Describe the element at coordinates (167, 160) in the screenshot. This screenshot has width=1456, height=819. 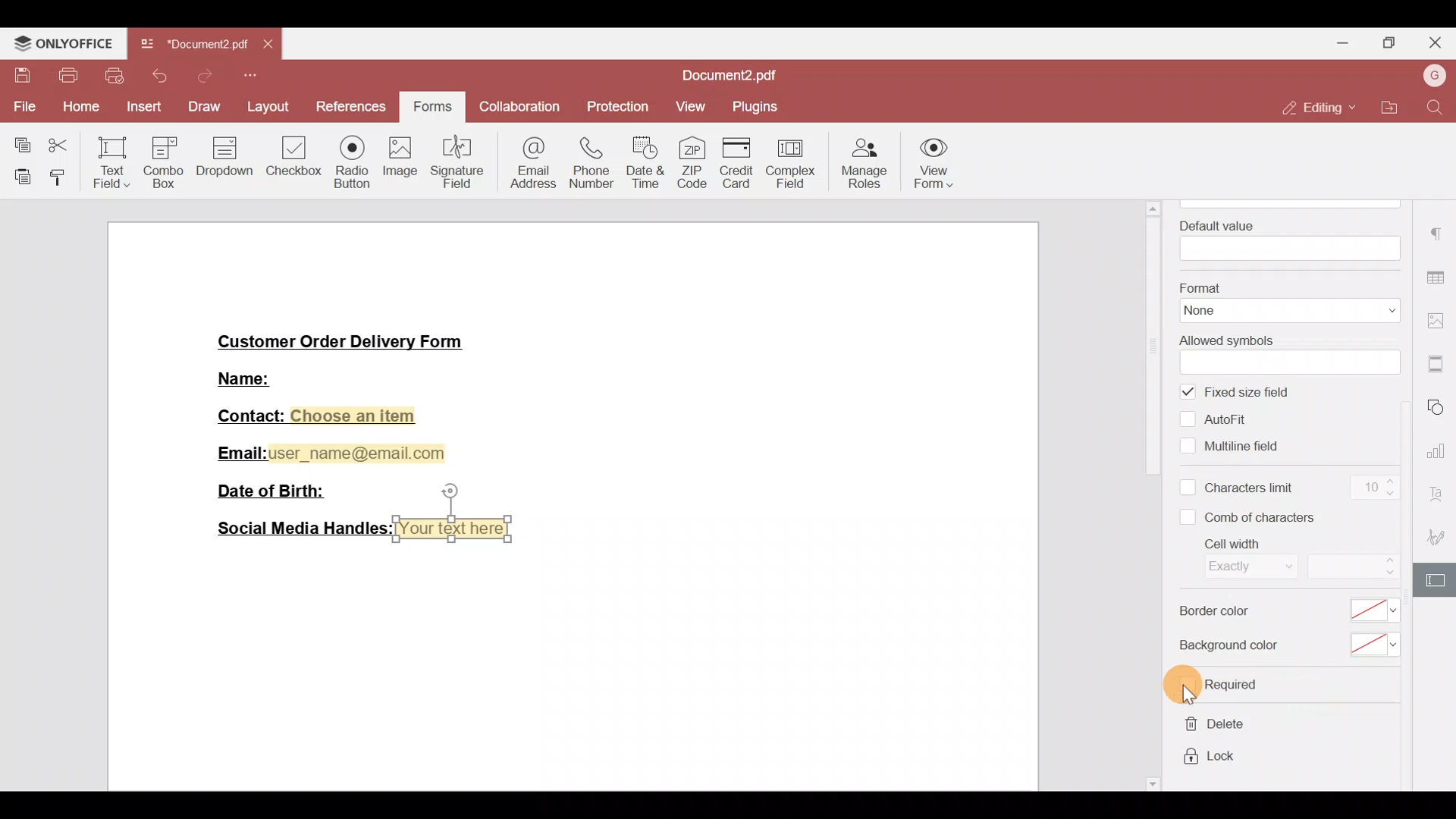
I see `Combo box` at that location.